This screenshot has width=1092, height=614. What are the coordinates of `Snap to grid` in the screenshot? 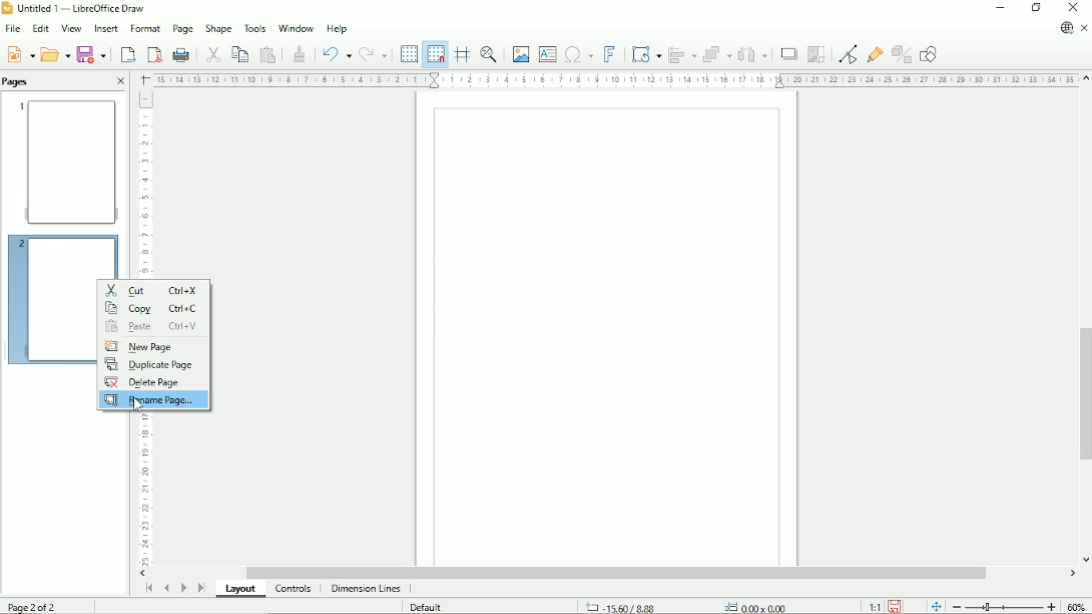 It's located at (434, 54).